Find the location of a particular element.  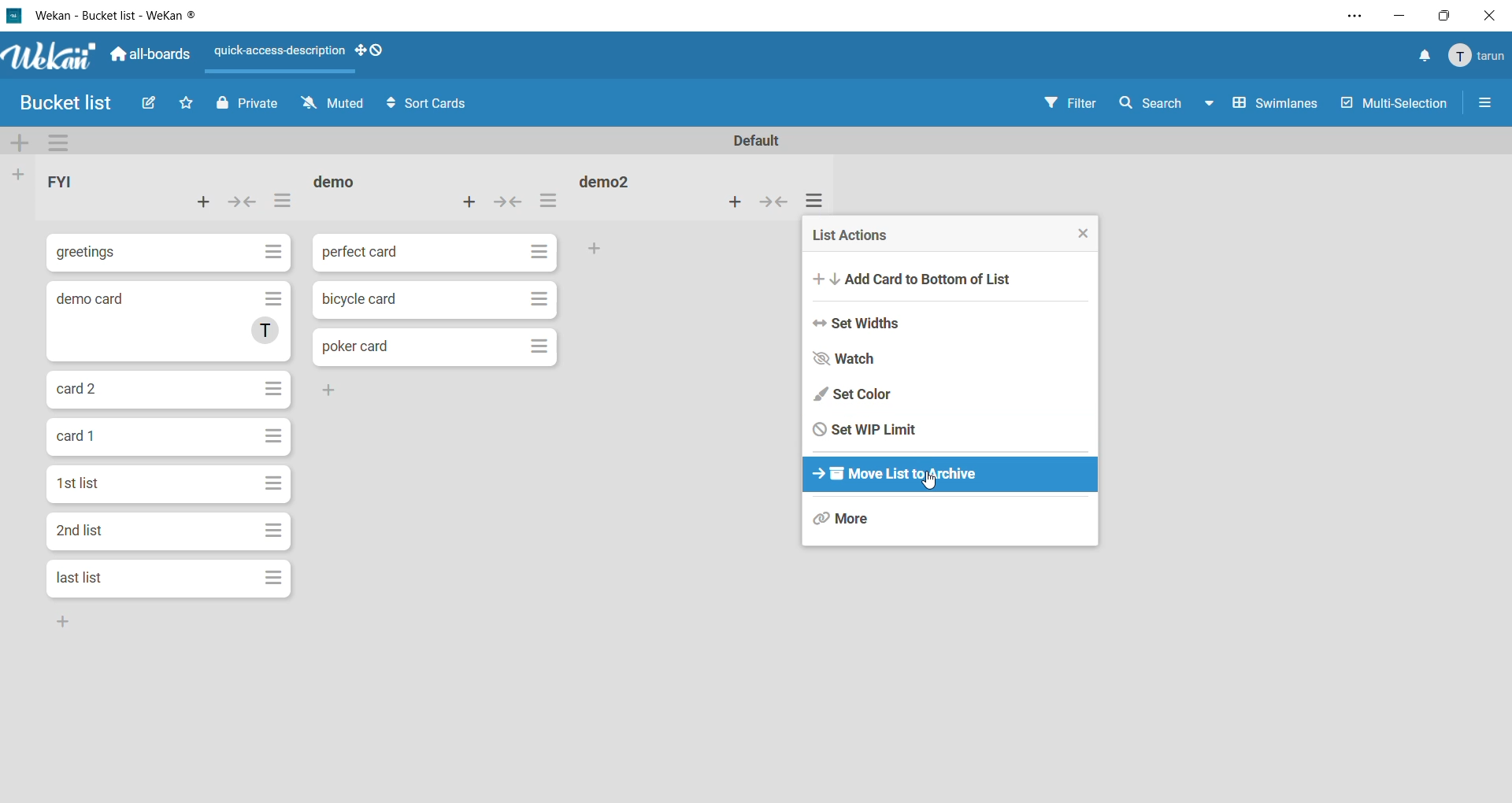

cursor is located at coordinates (929, 480).